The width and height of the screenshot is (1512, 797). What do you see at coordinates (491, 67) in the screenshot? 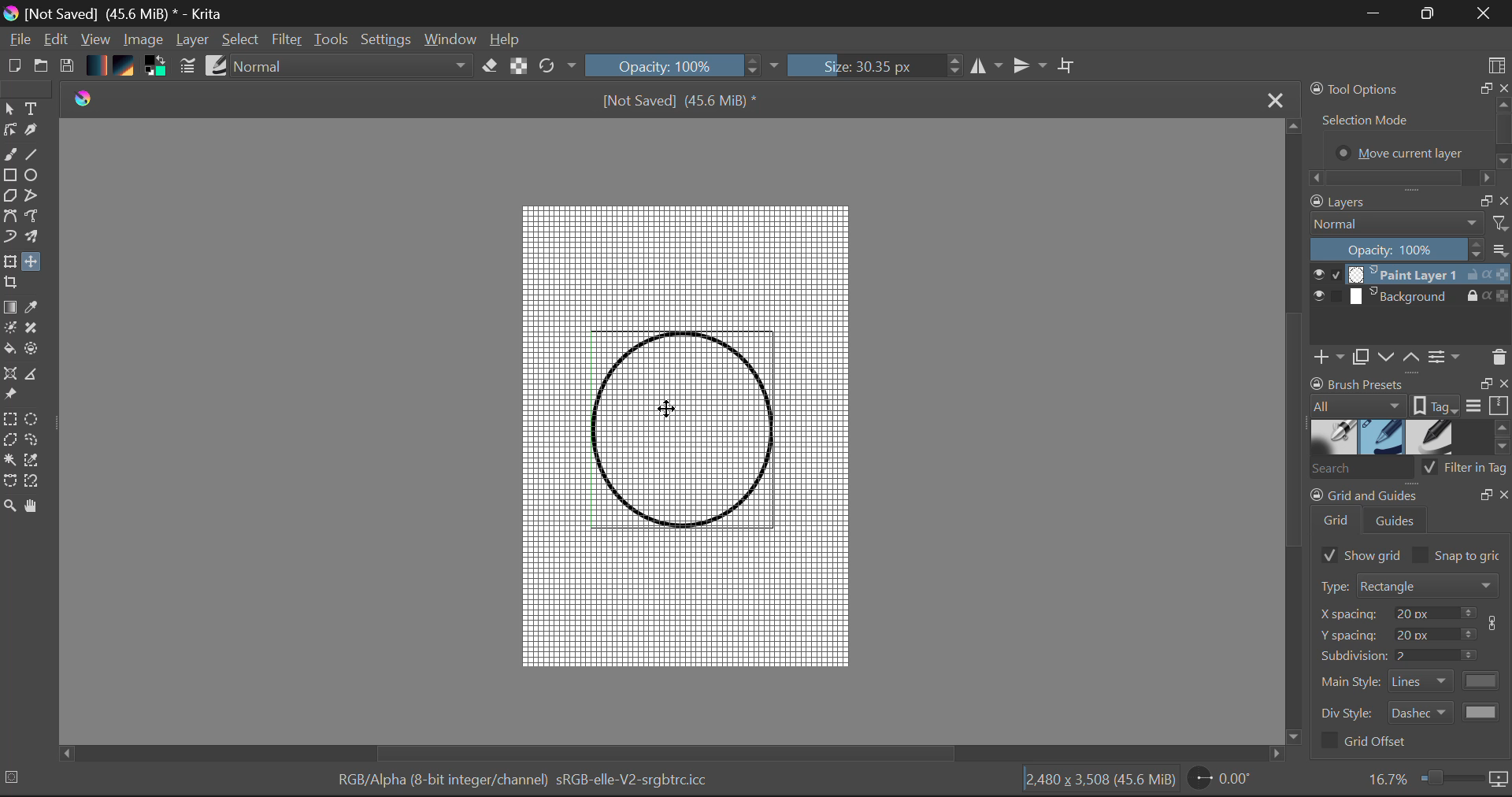
I see `Eraser` at bounding box center [491, 67].